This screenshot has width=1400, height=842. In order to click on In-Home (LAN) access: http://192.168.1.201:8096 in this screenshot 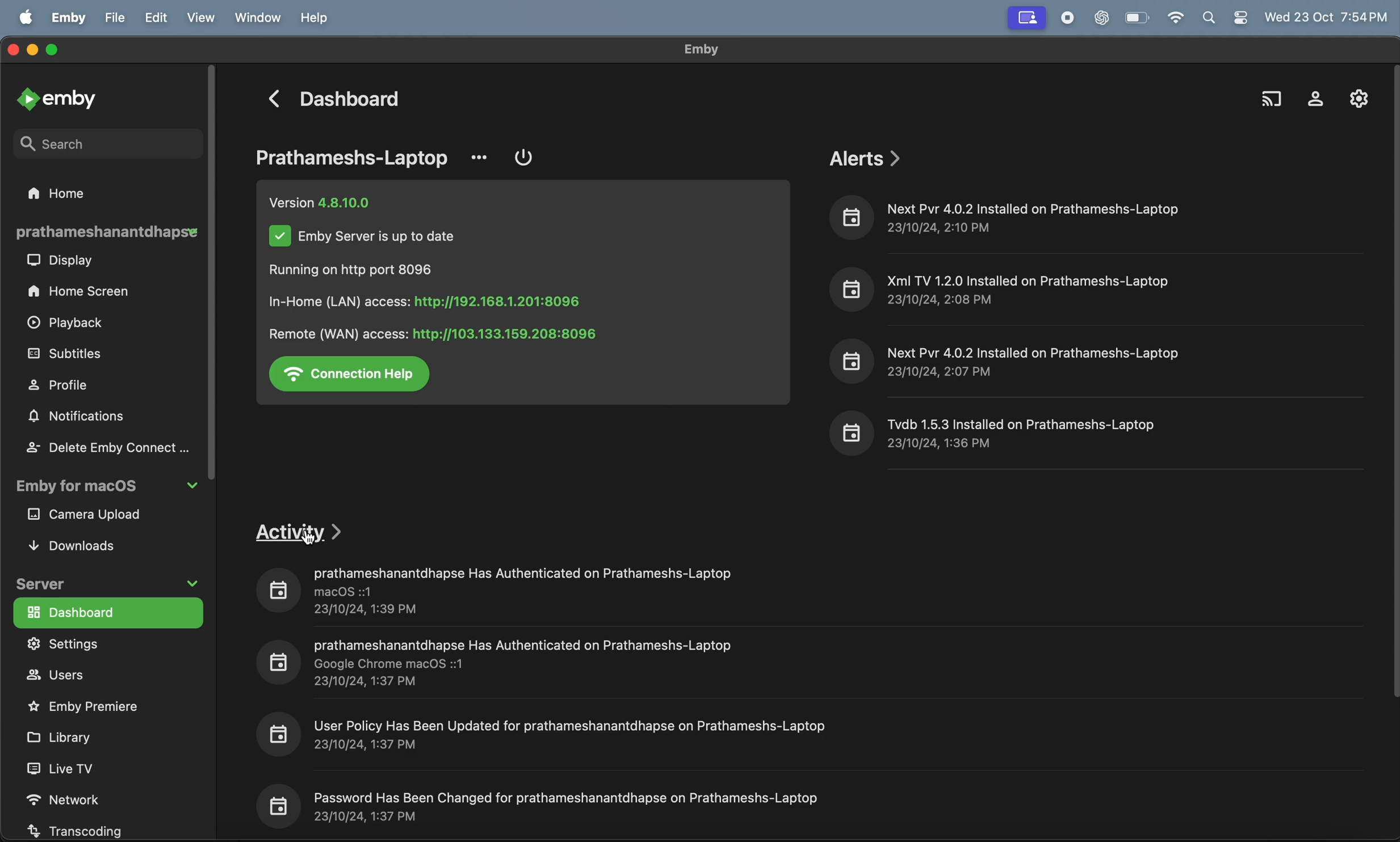, I will do `click(434, 301)`.